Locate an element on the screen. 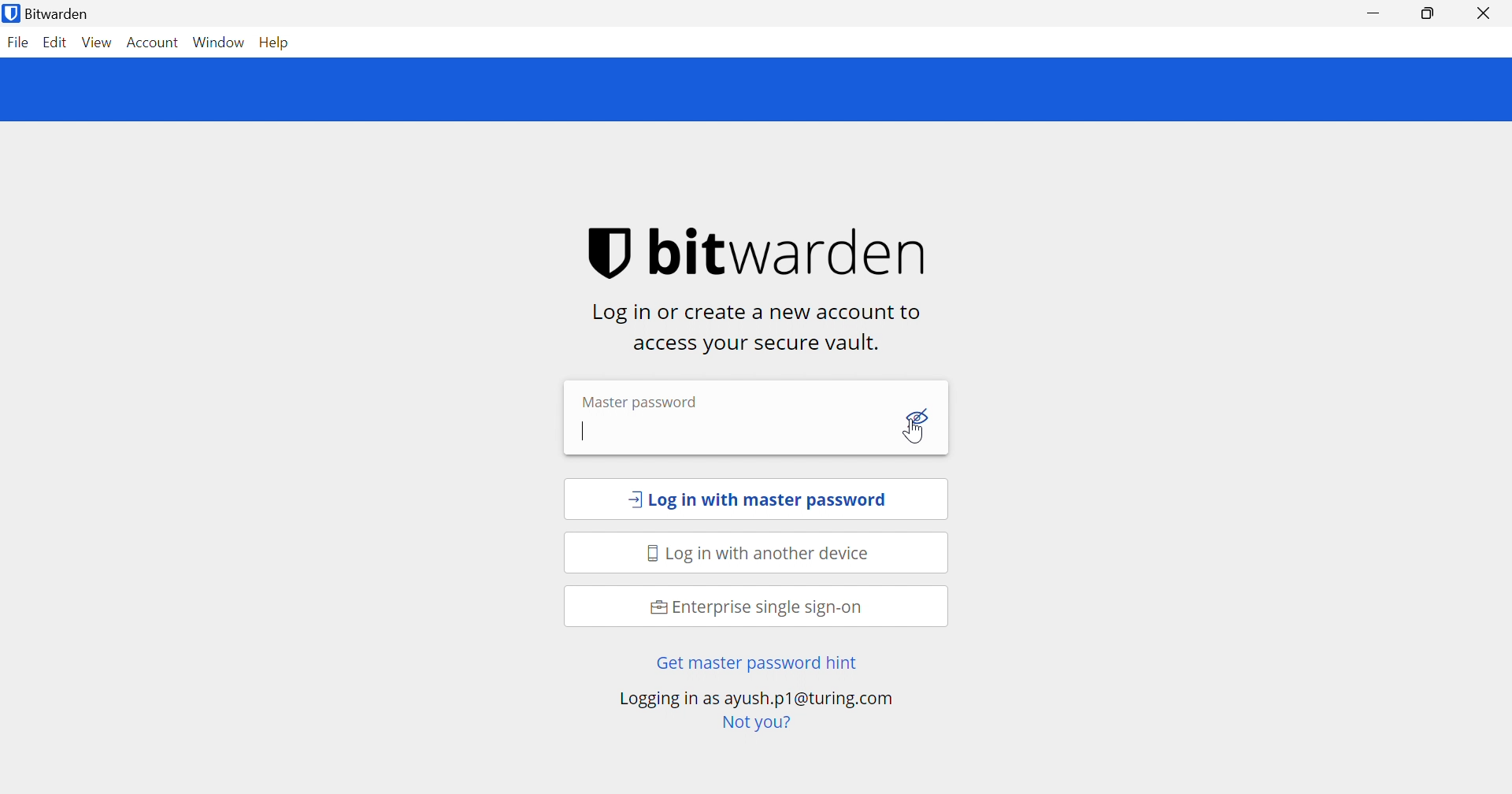  password input box is located at coordinates (724, 432).